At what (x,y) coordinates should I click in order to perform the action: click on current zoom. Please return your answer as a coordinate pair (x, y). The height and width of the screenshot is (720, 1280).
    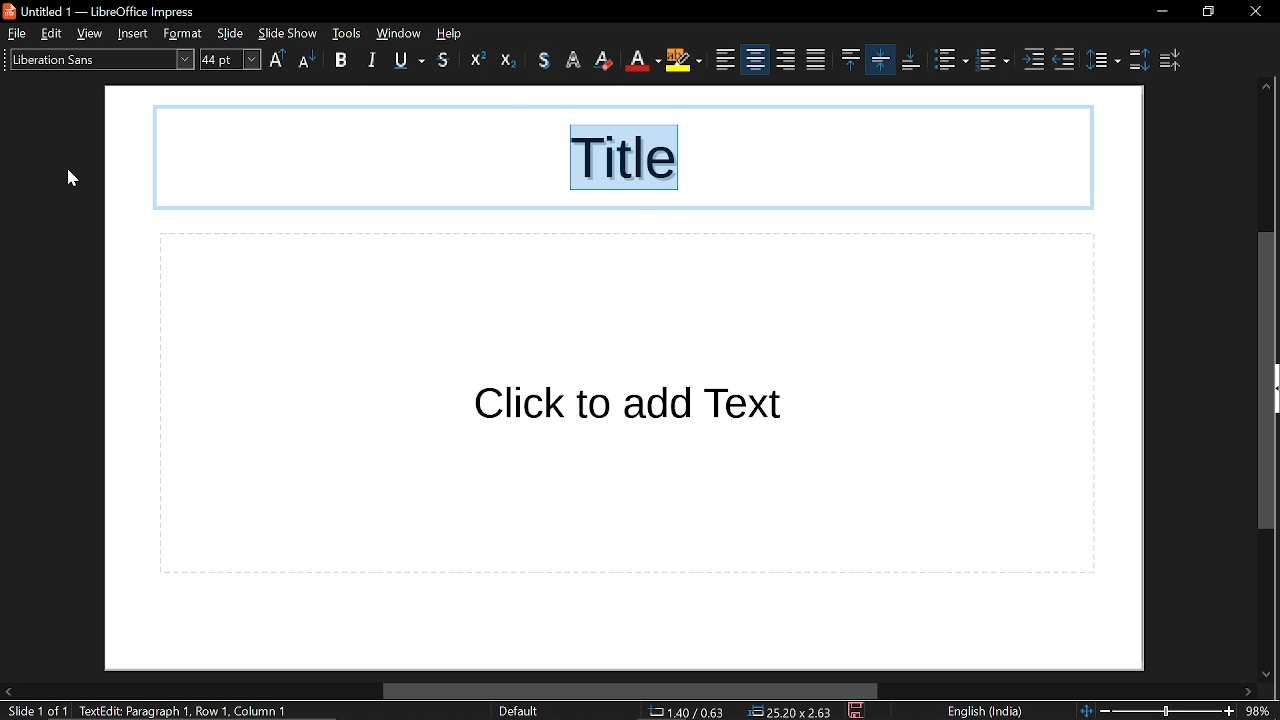
    Looking at the image, I should click on (1261, 711).